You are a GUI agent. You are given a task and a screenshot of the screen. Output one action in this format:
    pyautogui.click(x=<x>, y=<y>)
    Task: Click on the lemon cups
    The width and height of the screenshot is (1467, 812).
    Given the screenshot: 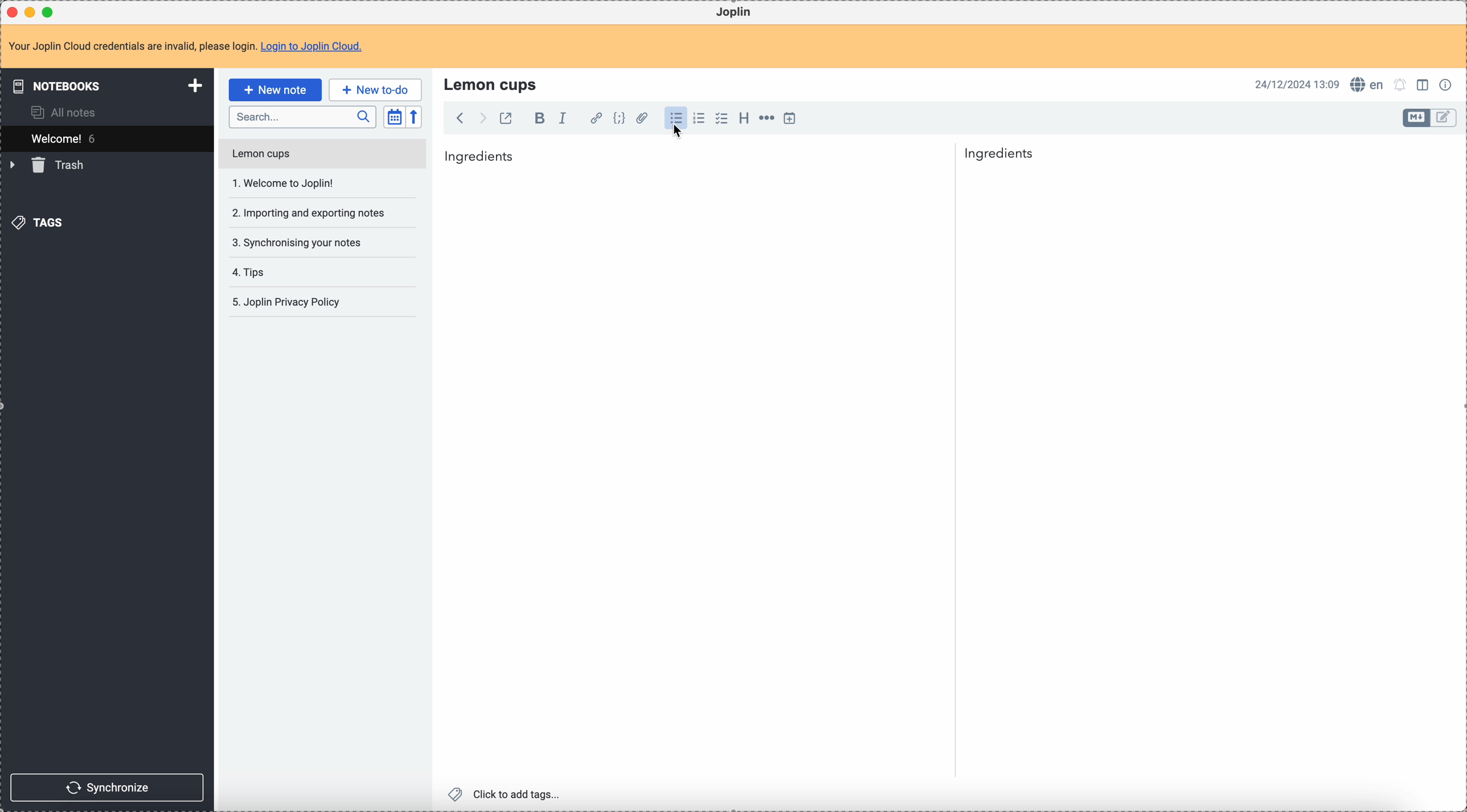 What is the action you would take?
    pyautogui.click(x=321, y=156)
    